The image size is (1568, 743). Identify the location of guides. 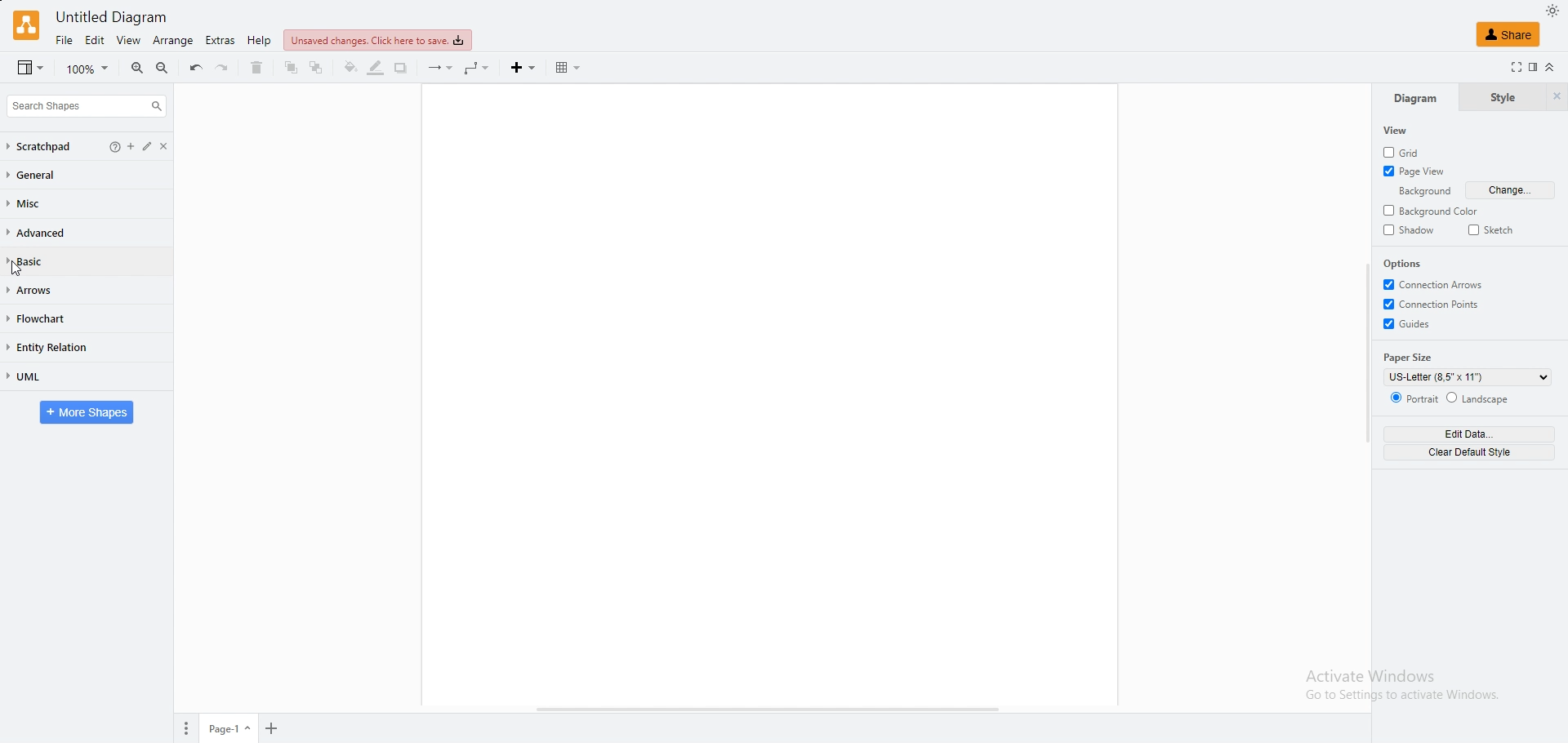
(1409, 323).